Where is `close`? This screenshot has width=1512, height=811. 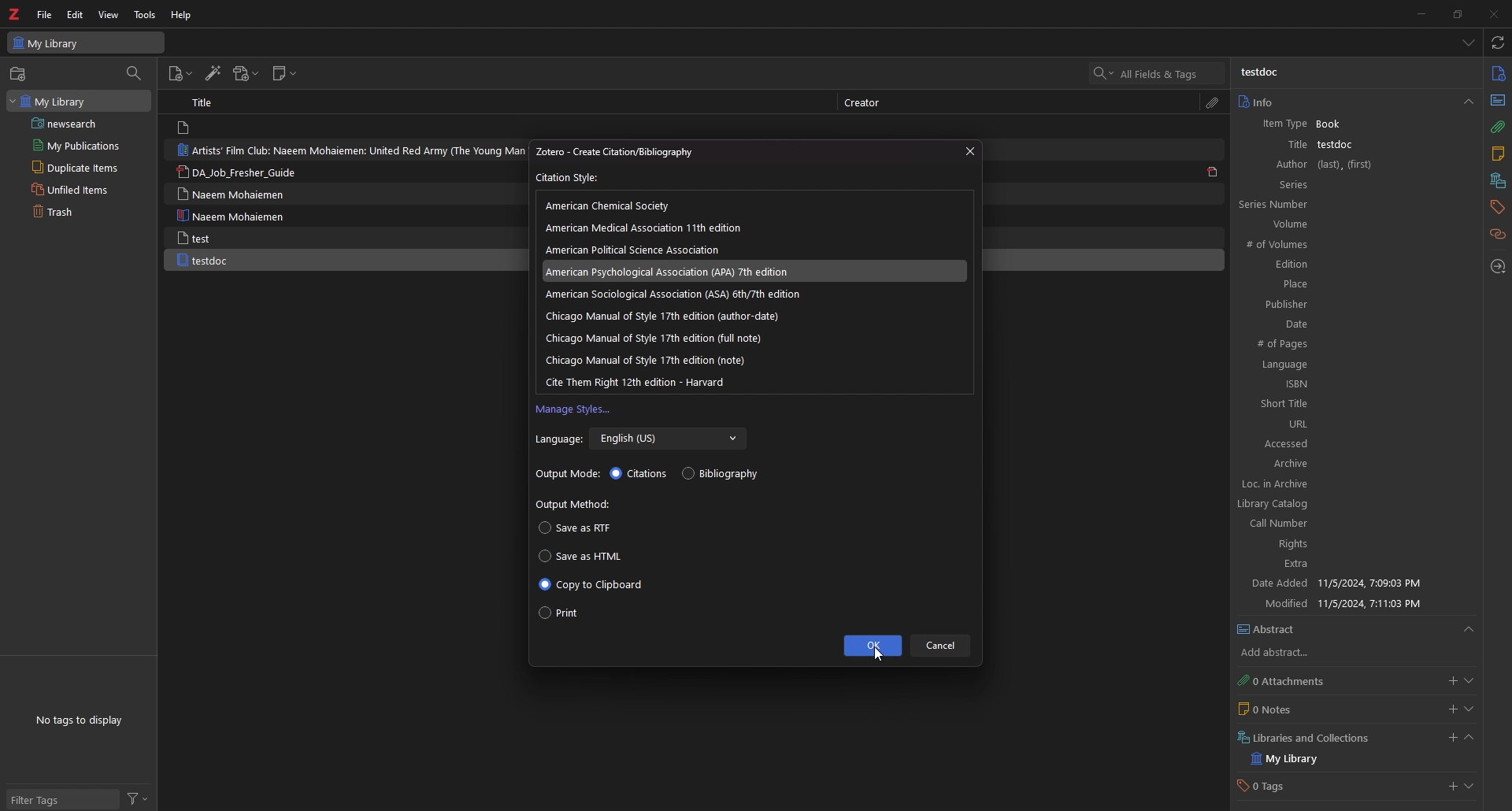 close is located at coordinates (968, 151).